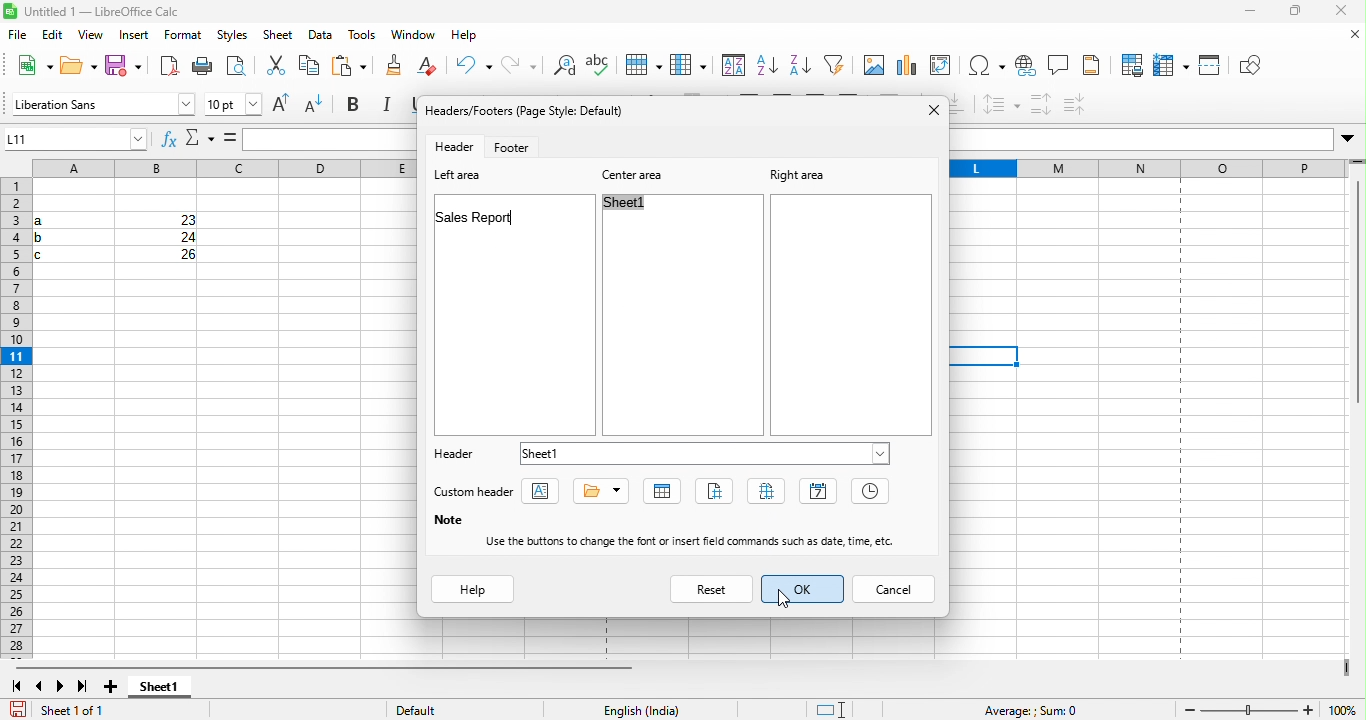  What do you see at coordinates (235, 103) in the screenshot?
I see `font size` at bounding box center [235, 103].